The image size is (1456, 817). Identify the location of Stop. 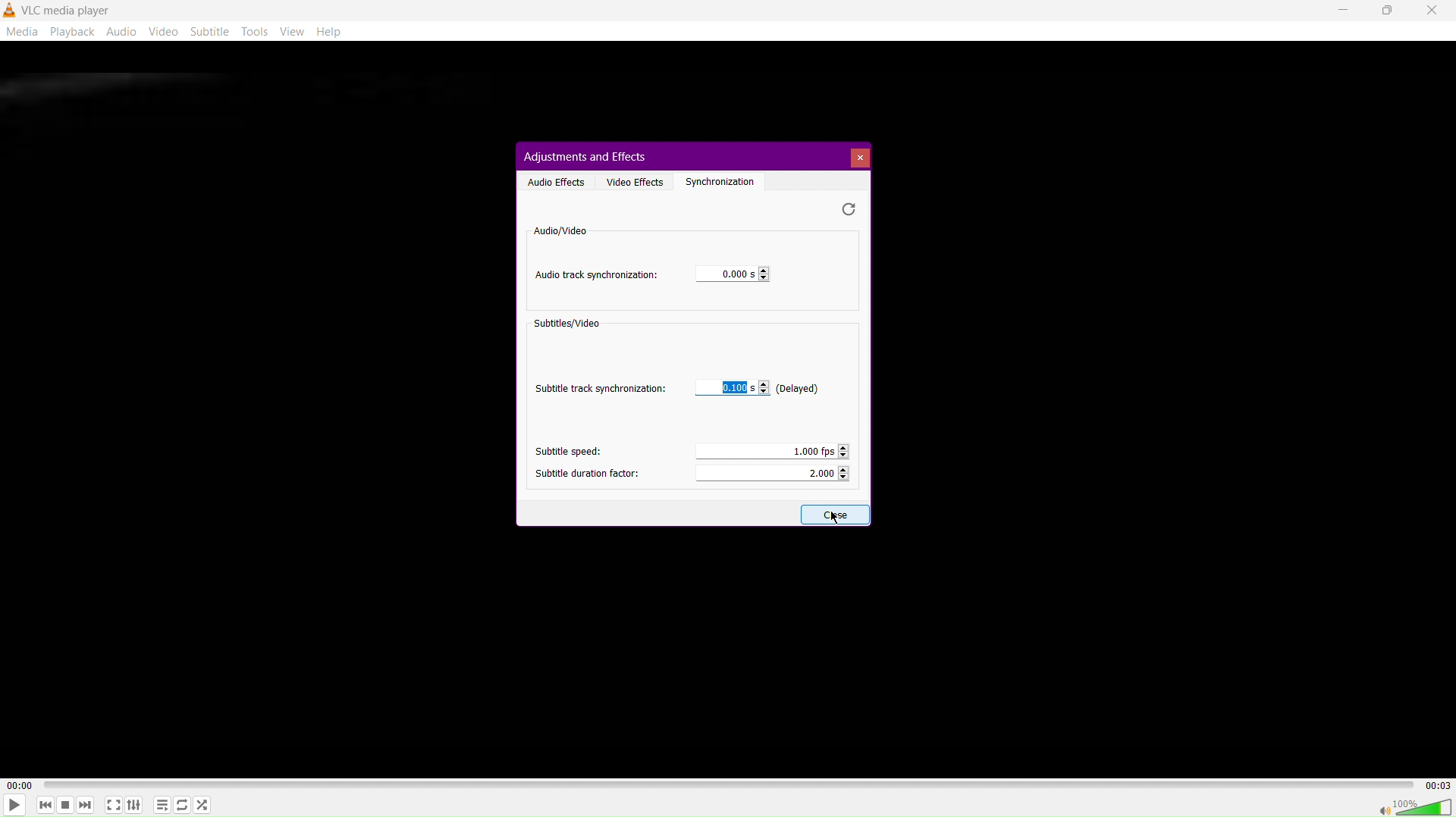
(64, 805).